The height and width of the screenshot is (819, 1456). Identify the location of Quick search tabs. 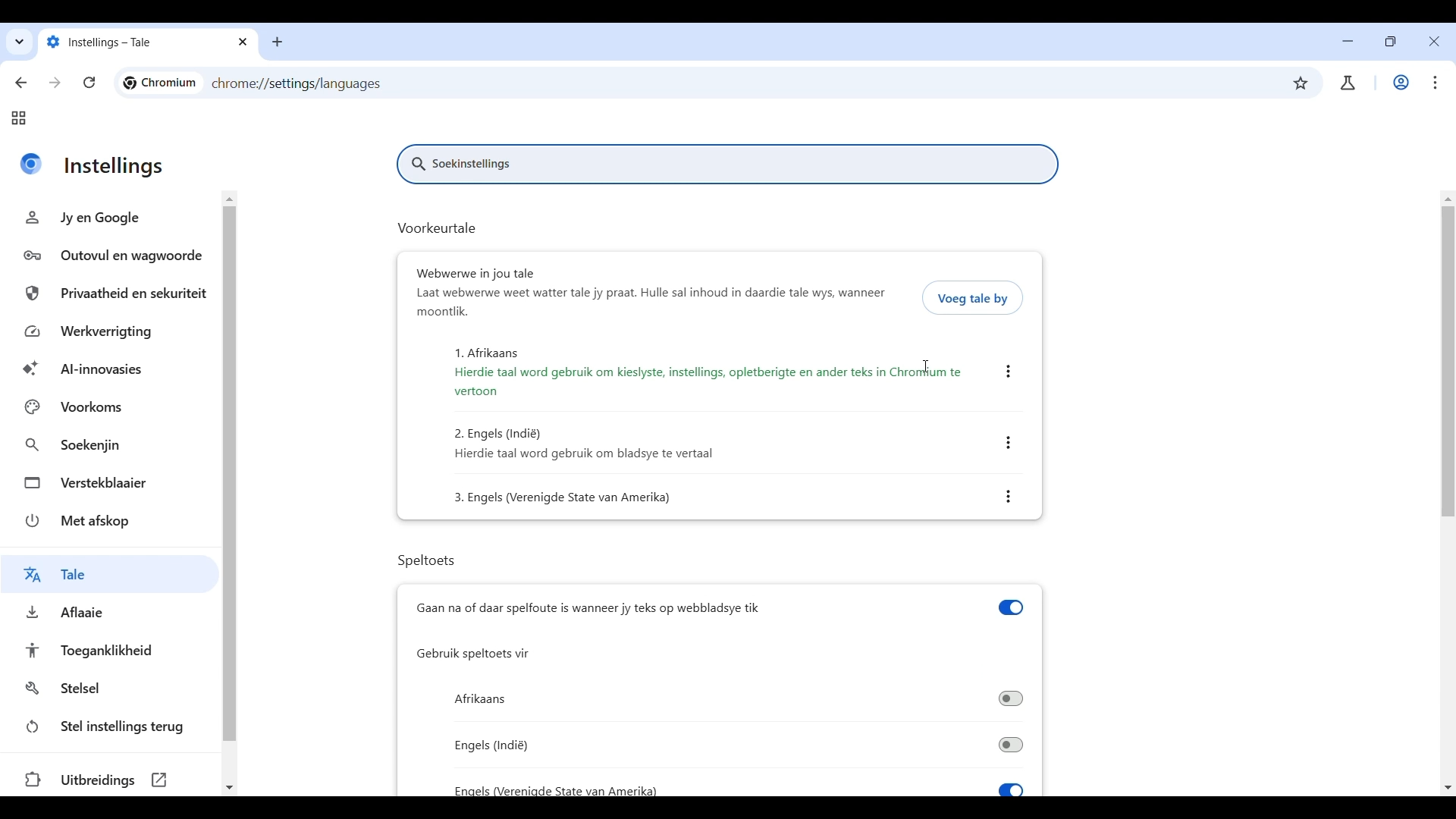
(18, 44).